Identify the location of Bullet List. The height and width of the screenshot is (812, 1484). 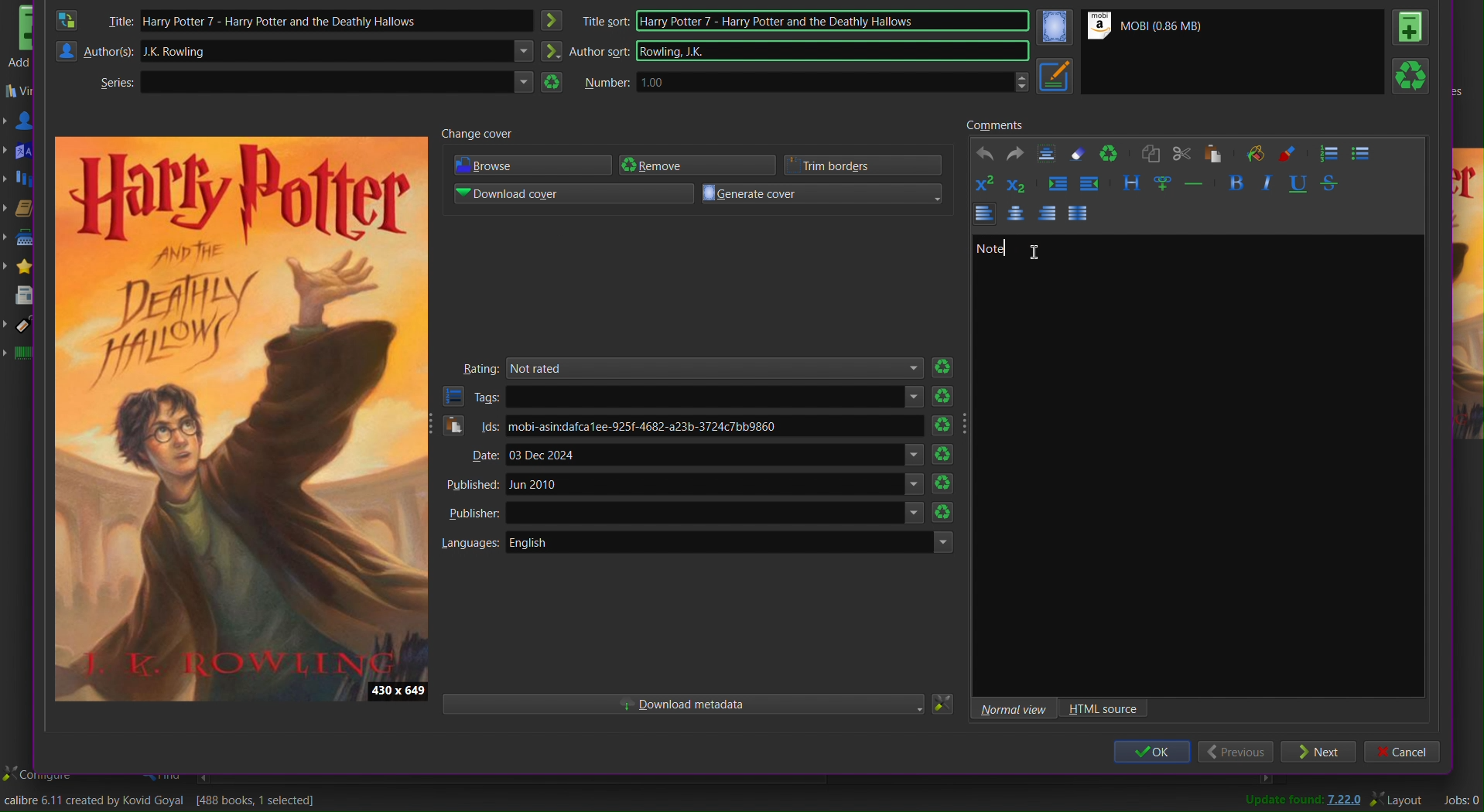
(1363, 152).